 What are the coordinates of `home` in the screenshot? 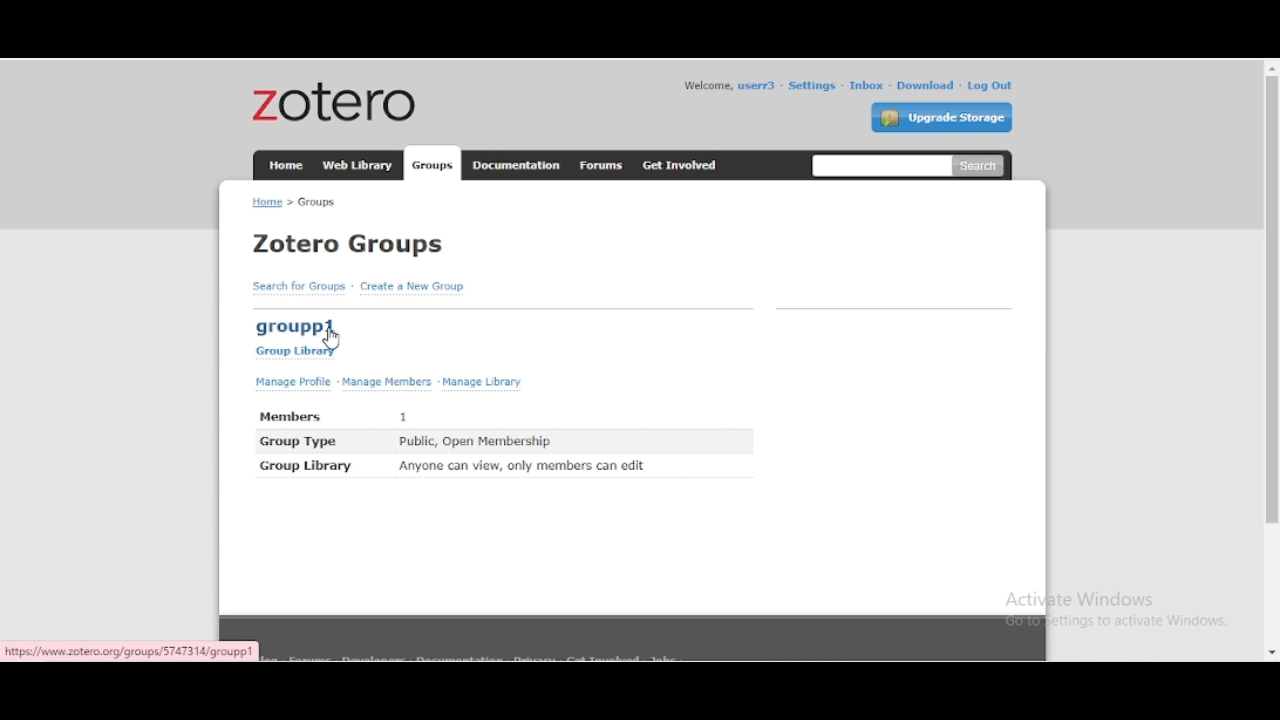 It's located at (286, 165).